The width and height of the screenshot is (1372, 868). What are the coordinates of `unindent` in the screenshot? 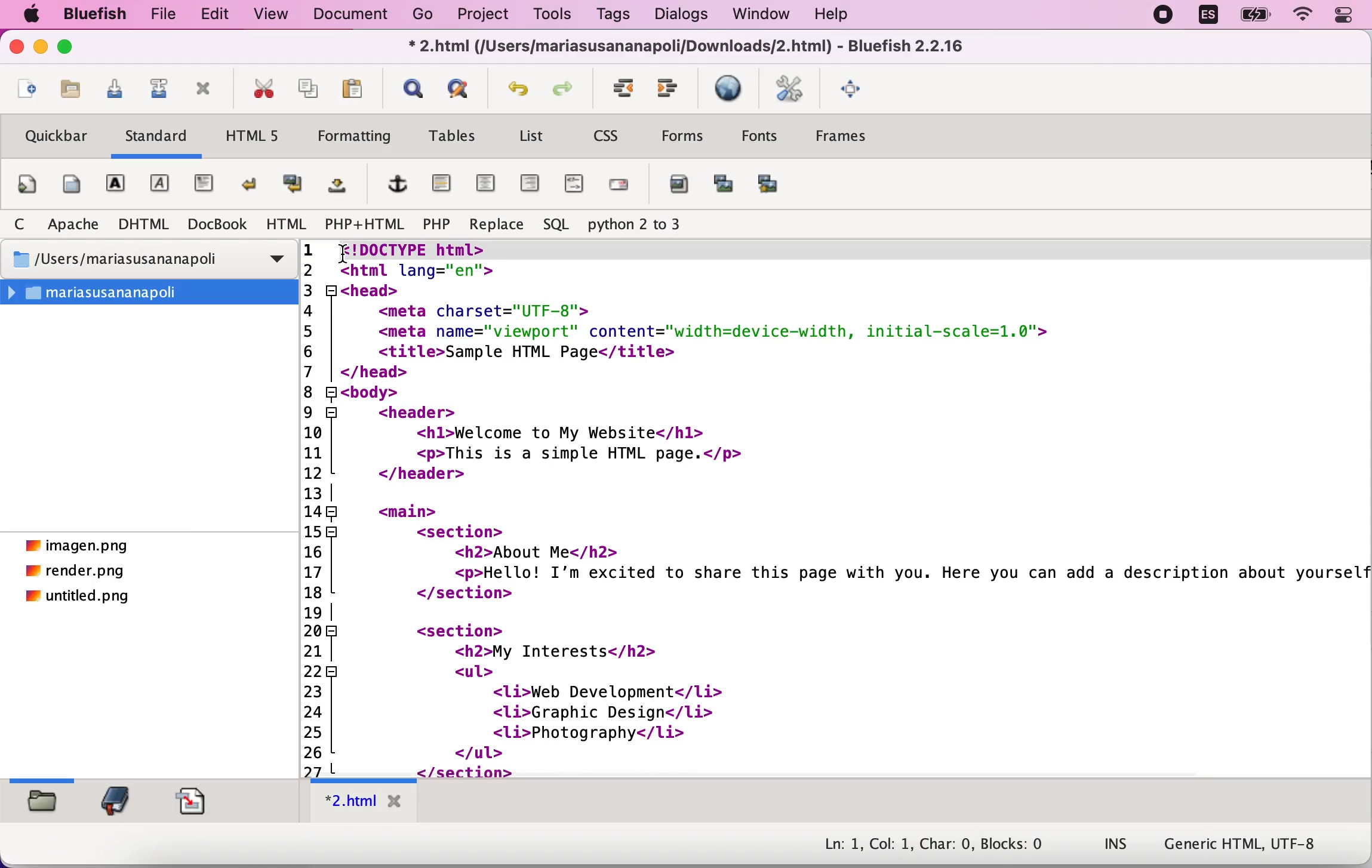 It's located at (627, 90).